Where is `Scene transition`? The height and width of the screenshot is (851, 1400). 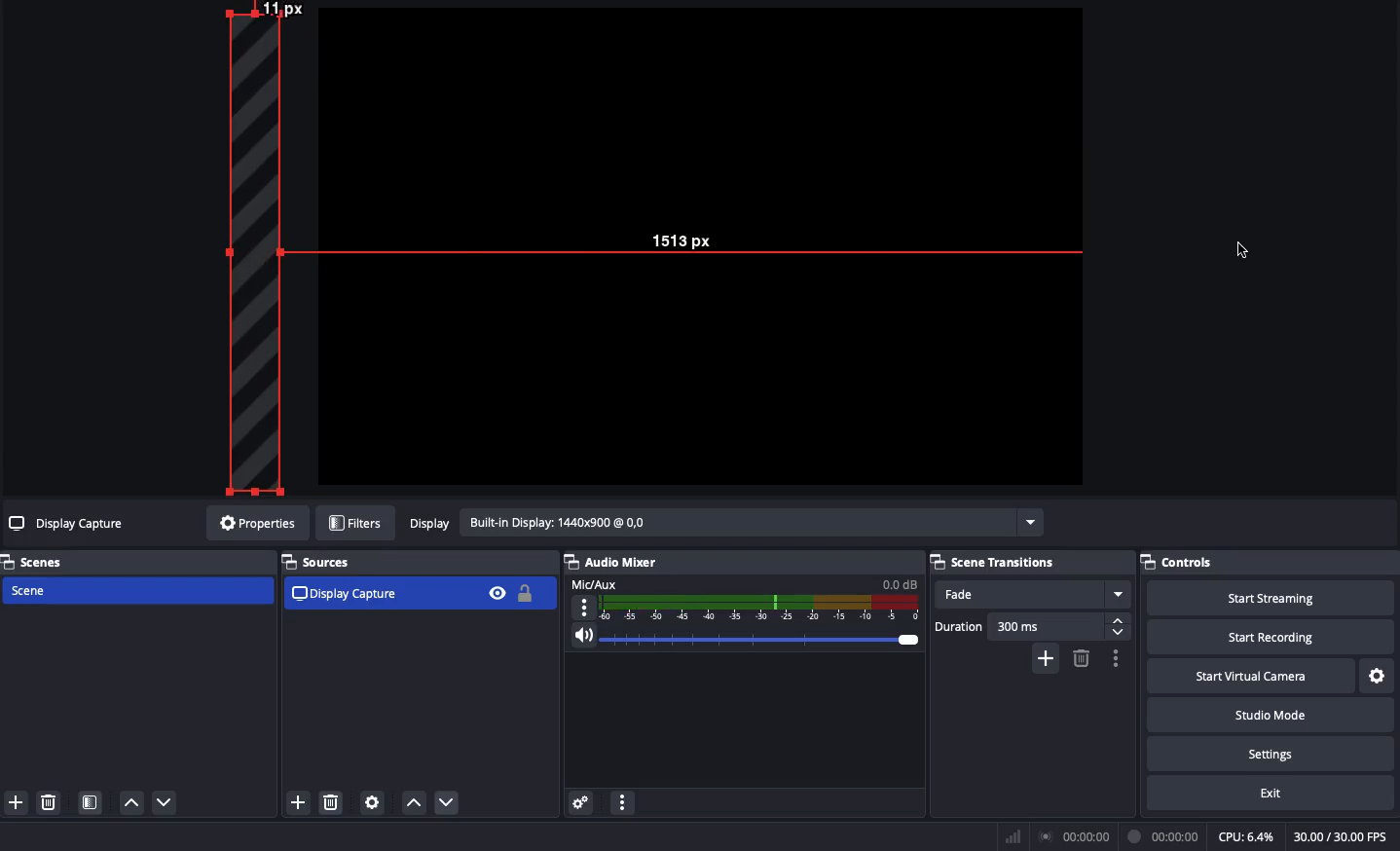 Scene transition is located at coordinates (996, 562).